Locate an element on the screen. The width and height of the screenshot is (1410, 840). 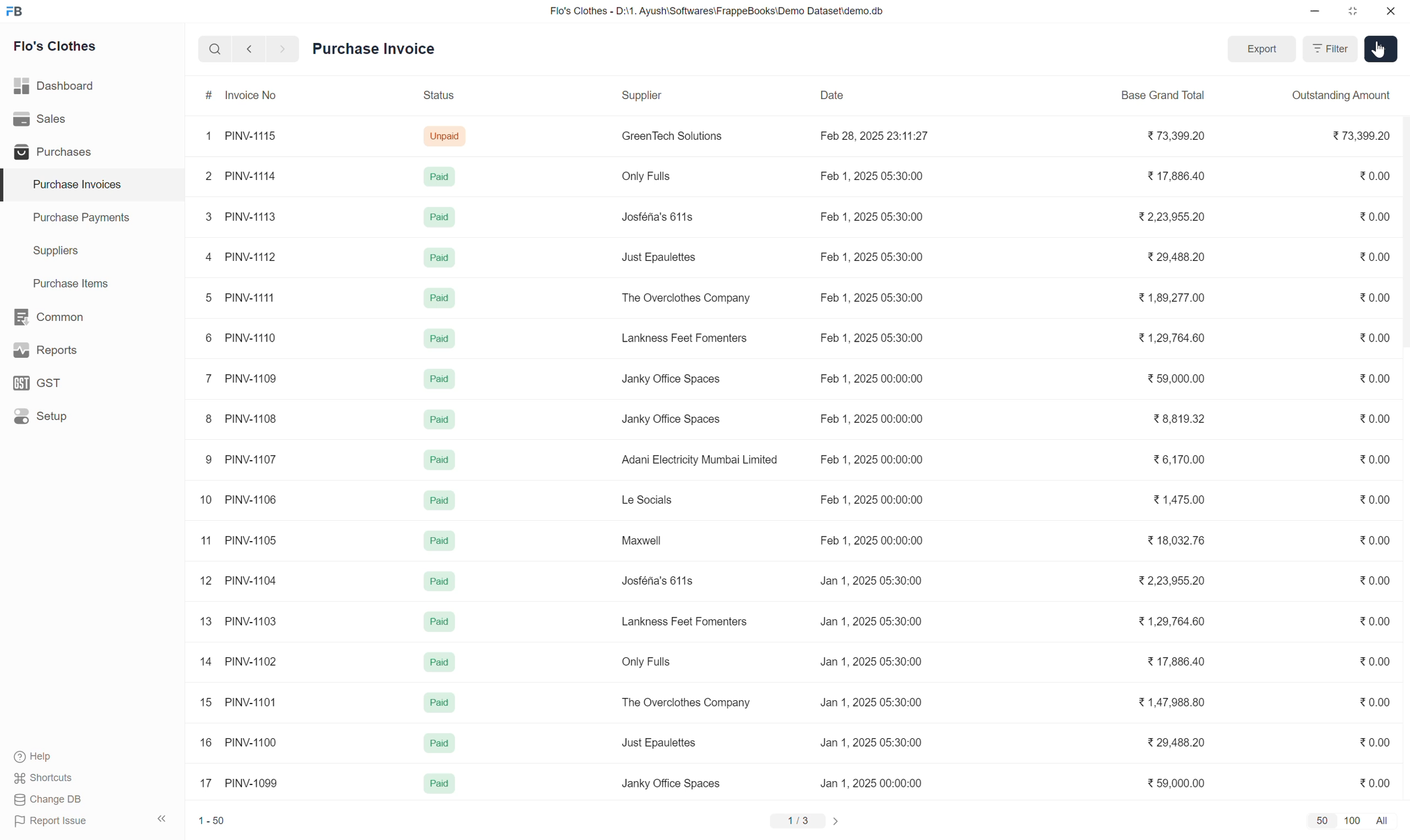
PINV-1104 is located at coordinates (250, 580).